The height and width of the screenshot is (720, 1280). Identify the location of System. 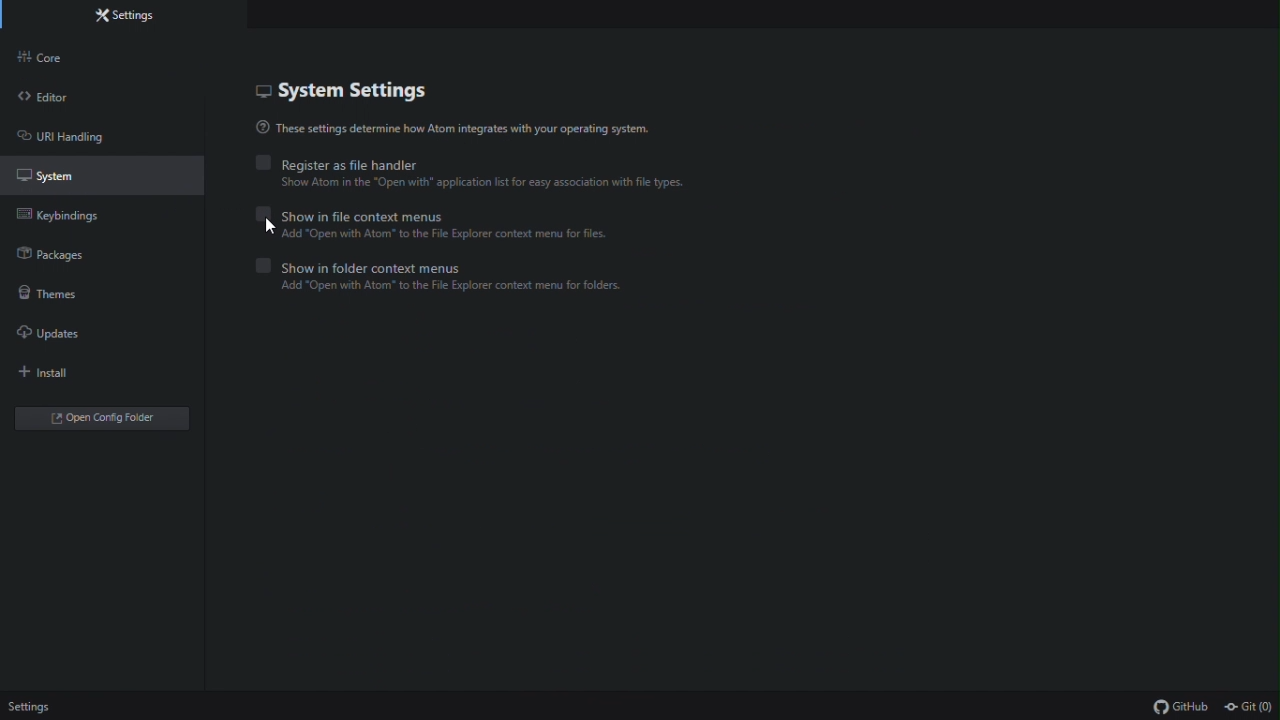
(71, 175).